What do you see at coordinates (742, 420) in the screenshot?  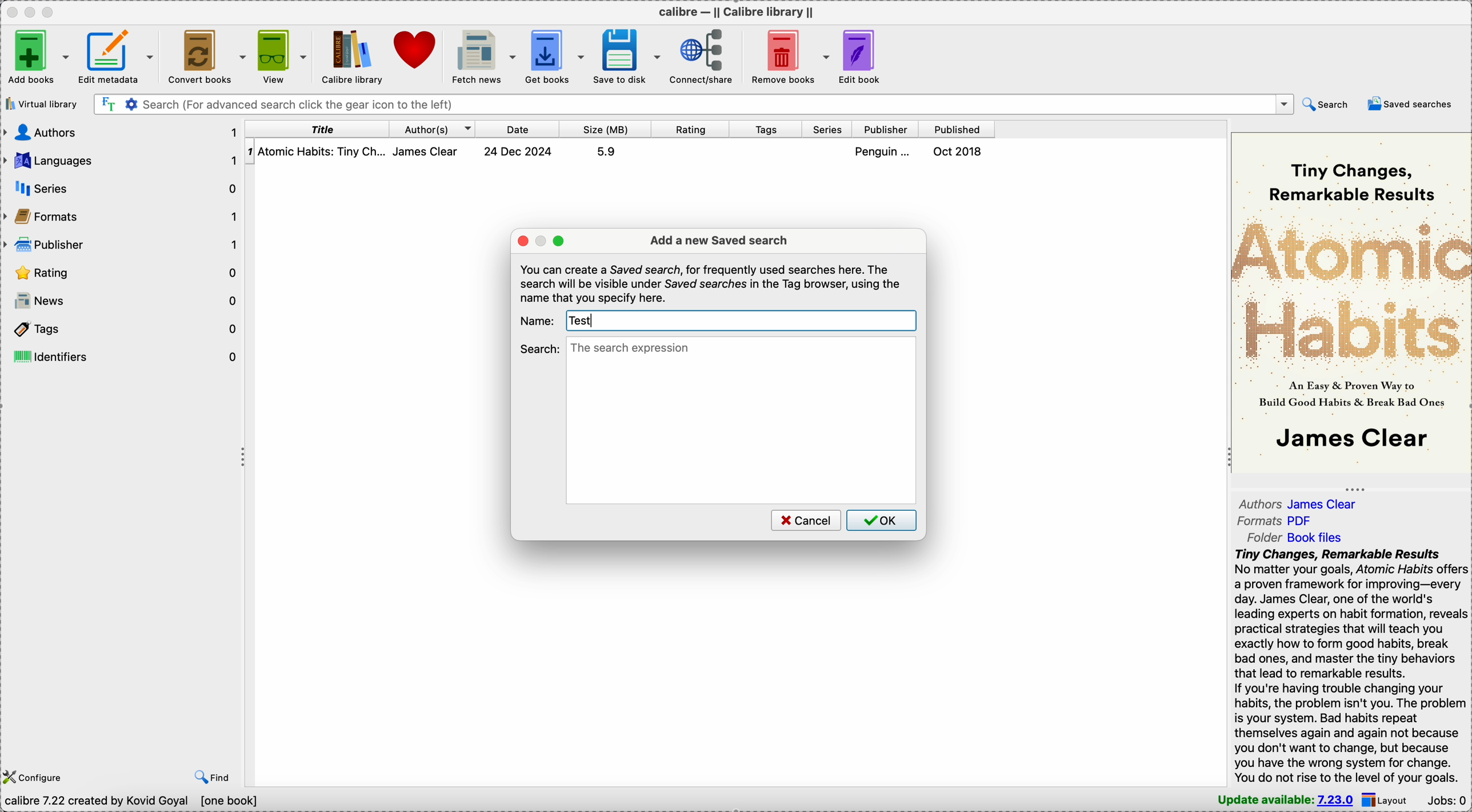 I see `the search expression` at bounding box center [742, 420].